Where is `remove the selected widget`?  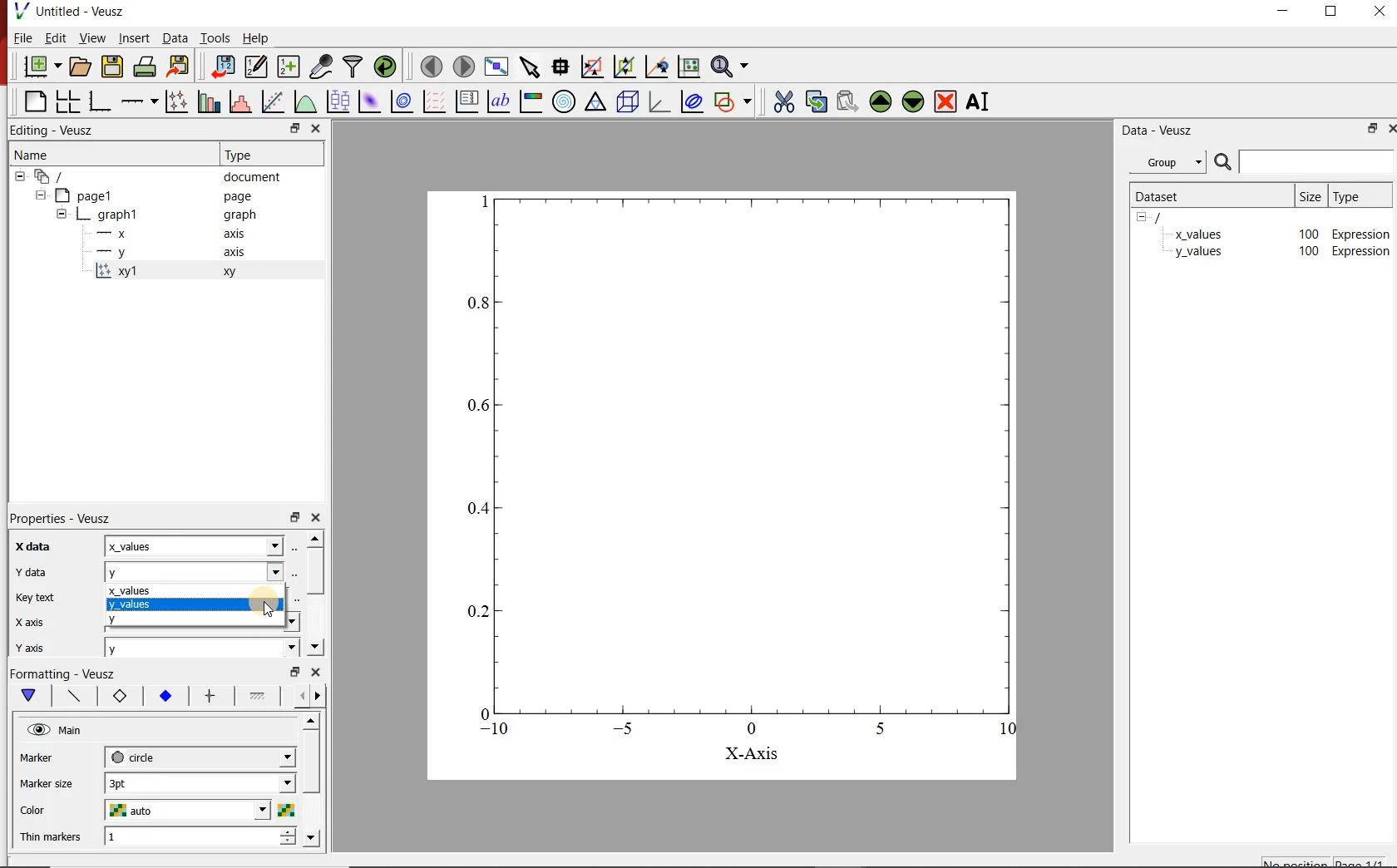
remove the selected widget is located at coordinates (945, 104).